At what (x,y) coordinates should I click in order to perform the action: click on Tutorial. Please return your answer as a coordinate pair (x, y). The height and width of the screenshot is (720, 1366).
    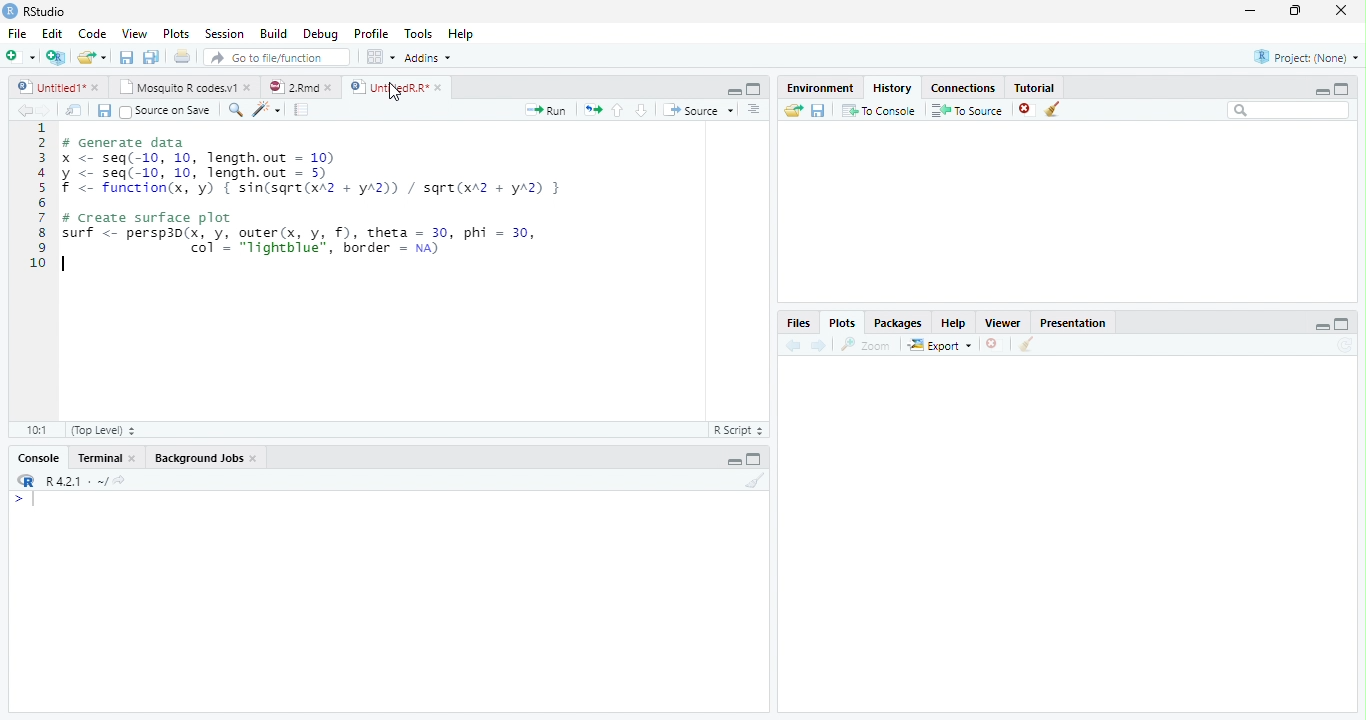
    Looking at the image, I should click on (1034, 86).